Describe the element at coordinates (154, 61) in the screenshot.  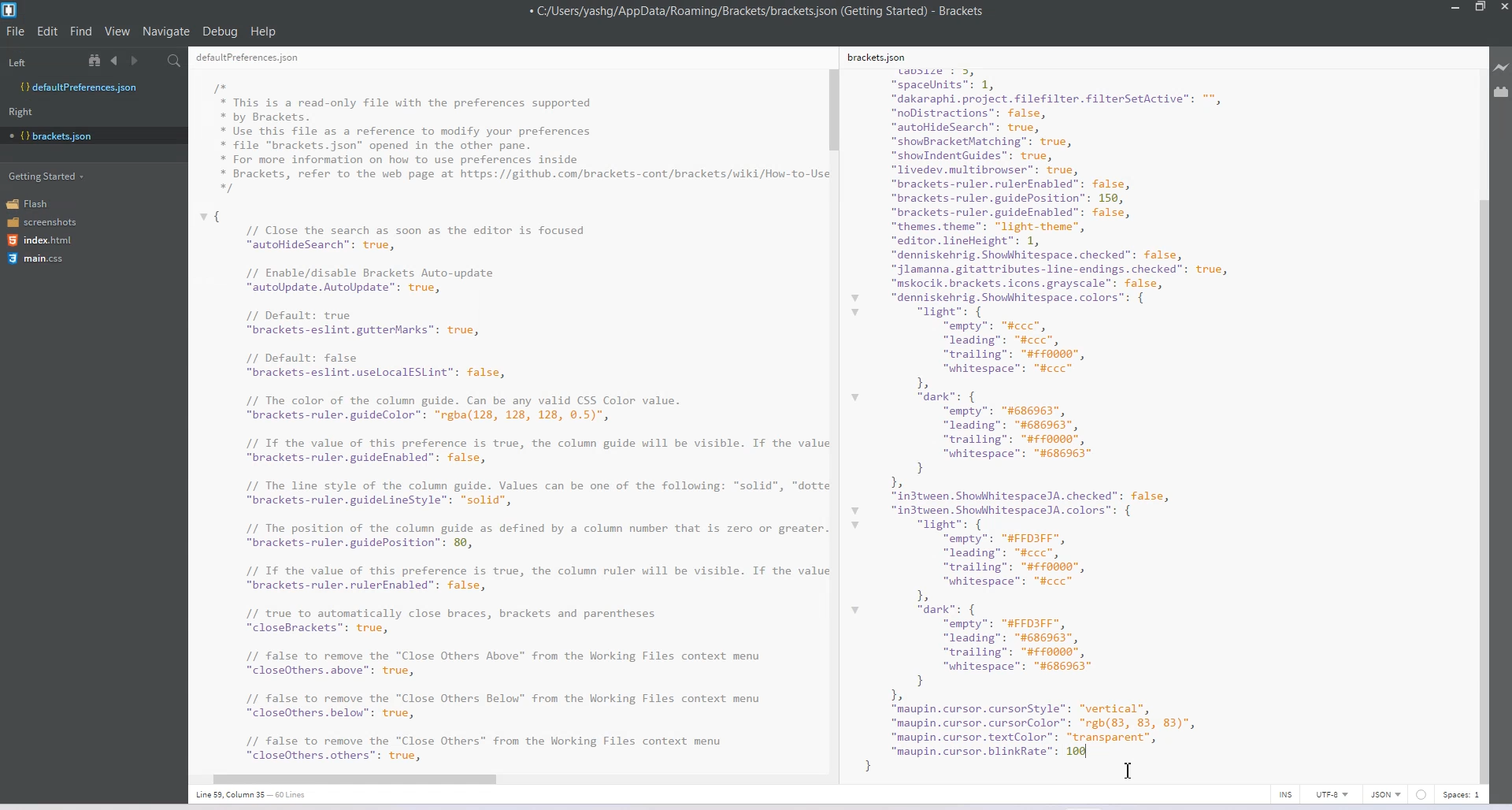
I see `Split editor vertically and Horizontally` at that location.